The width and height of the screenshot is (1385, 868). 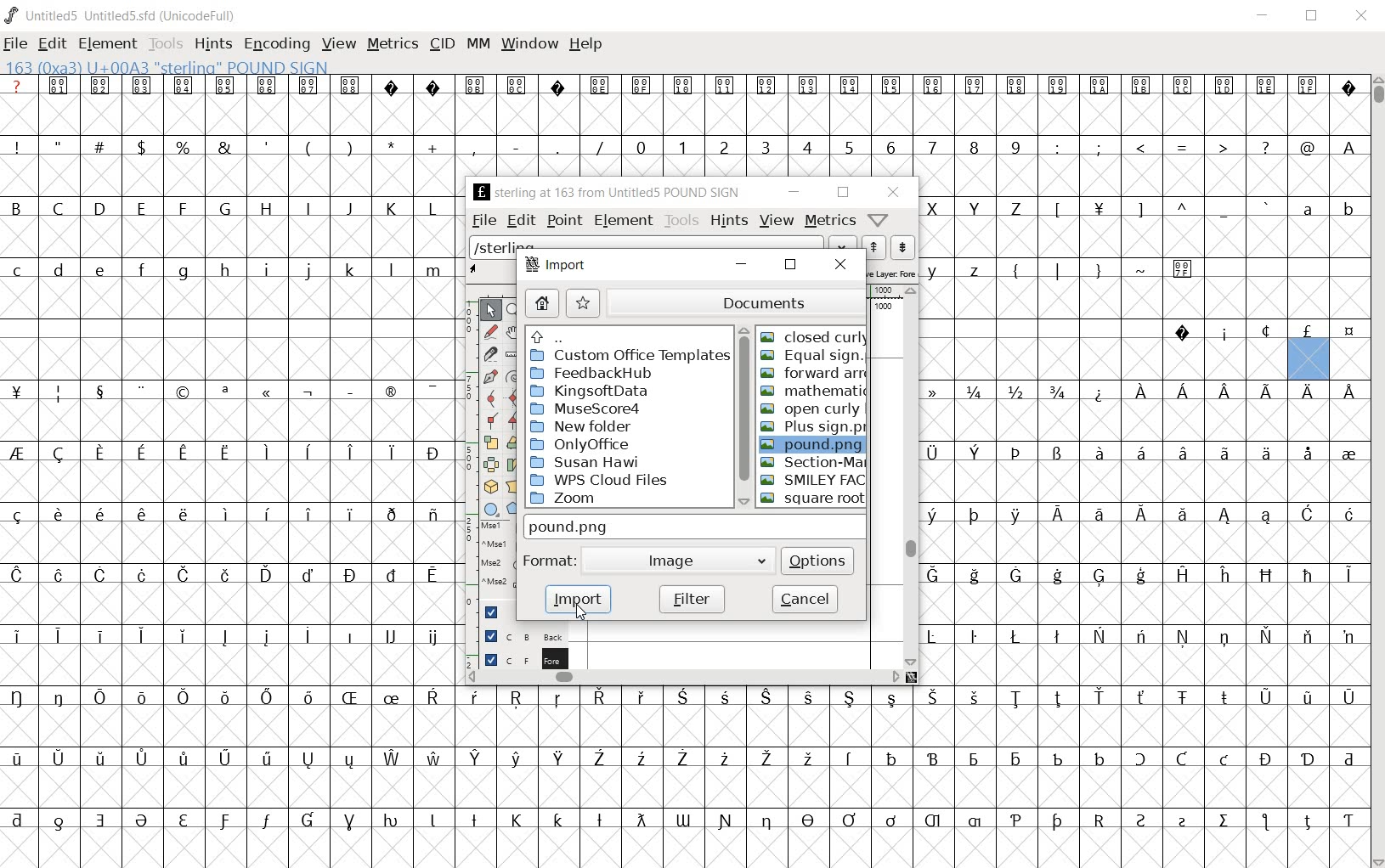 I want to click on Symbol, so click(x=1184, y=268).